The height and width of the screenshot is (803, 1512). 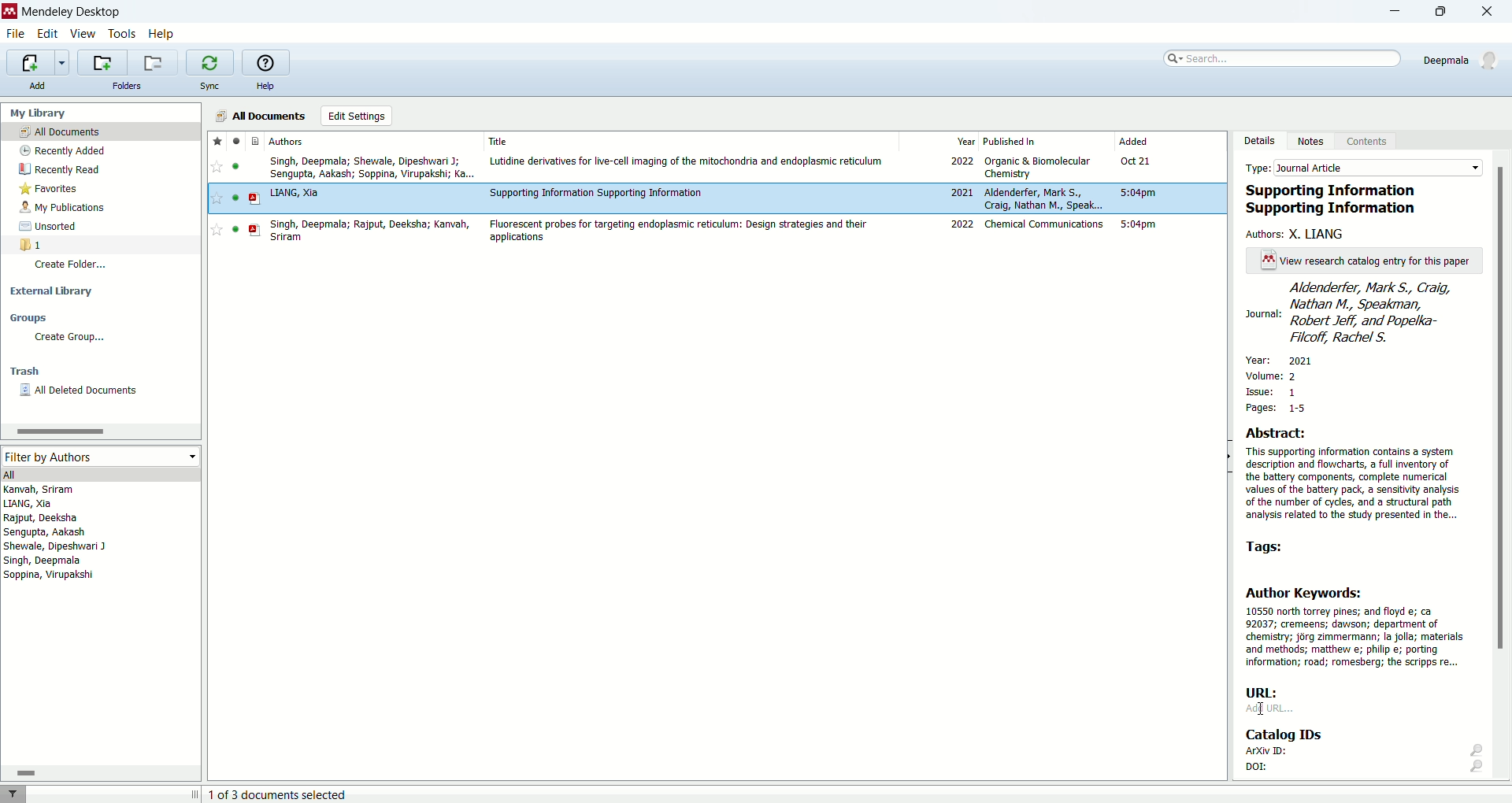 I want to click on import, so click(x=39, y=61).